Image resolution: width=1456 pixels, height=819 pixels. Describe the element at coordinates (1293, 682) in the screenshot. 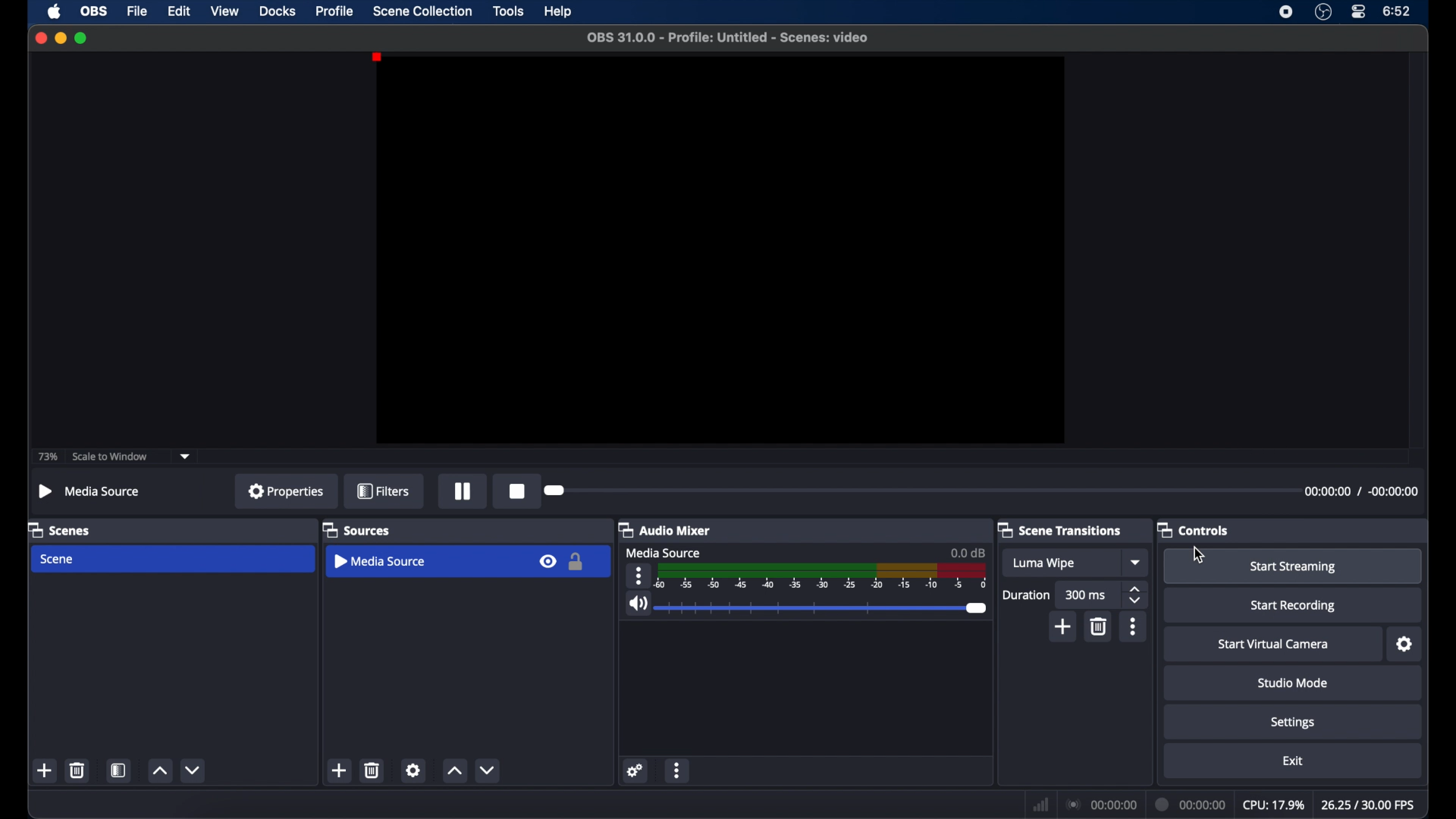

I see `studio mode` at that location.